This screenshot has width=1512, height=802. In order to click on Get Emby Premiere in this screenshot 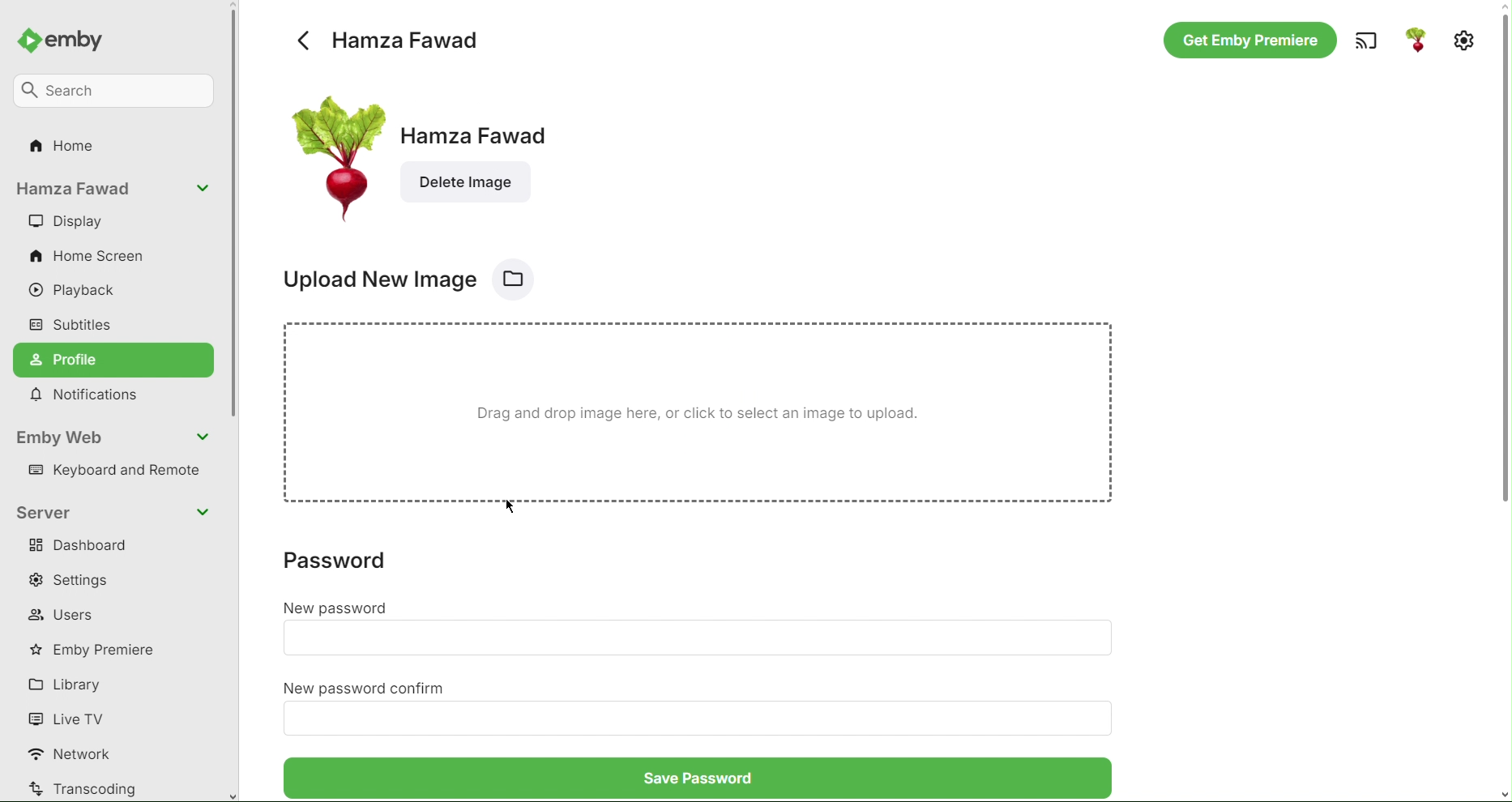, I will do `click(1248, 41)`.